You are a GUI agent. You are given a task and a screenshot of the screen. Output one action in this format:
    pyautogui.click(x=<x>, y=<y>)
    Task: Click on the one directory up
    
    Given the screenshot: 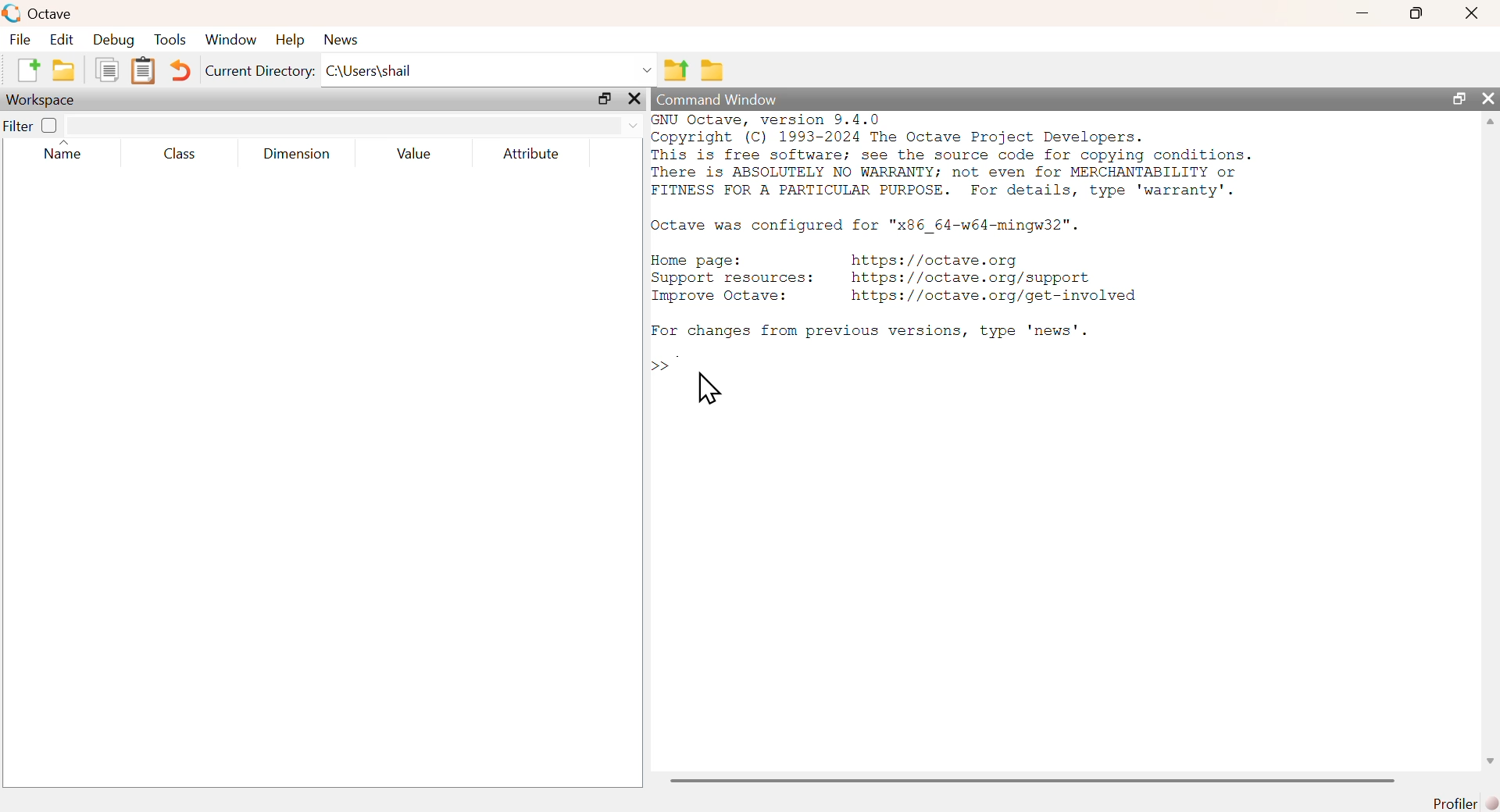 What is the action you would take?
    pyautogui.click(x=676, y=67)
    